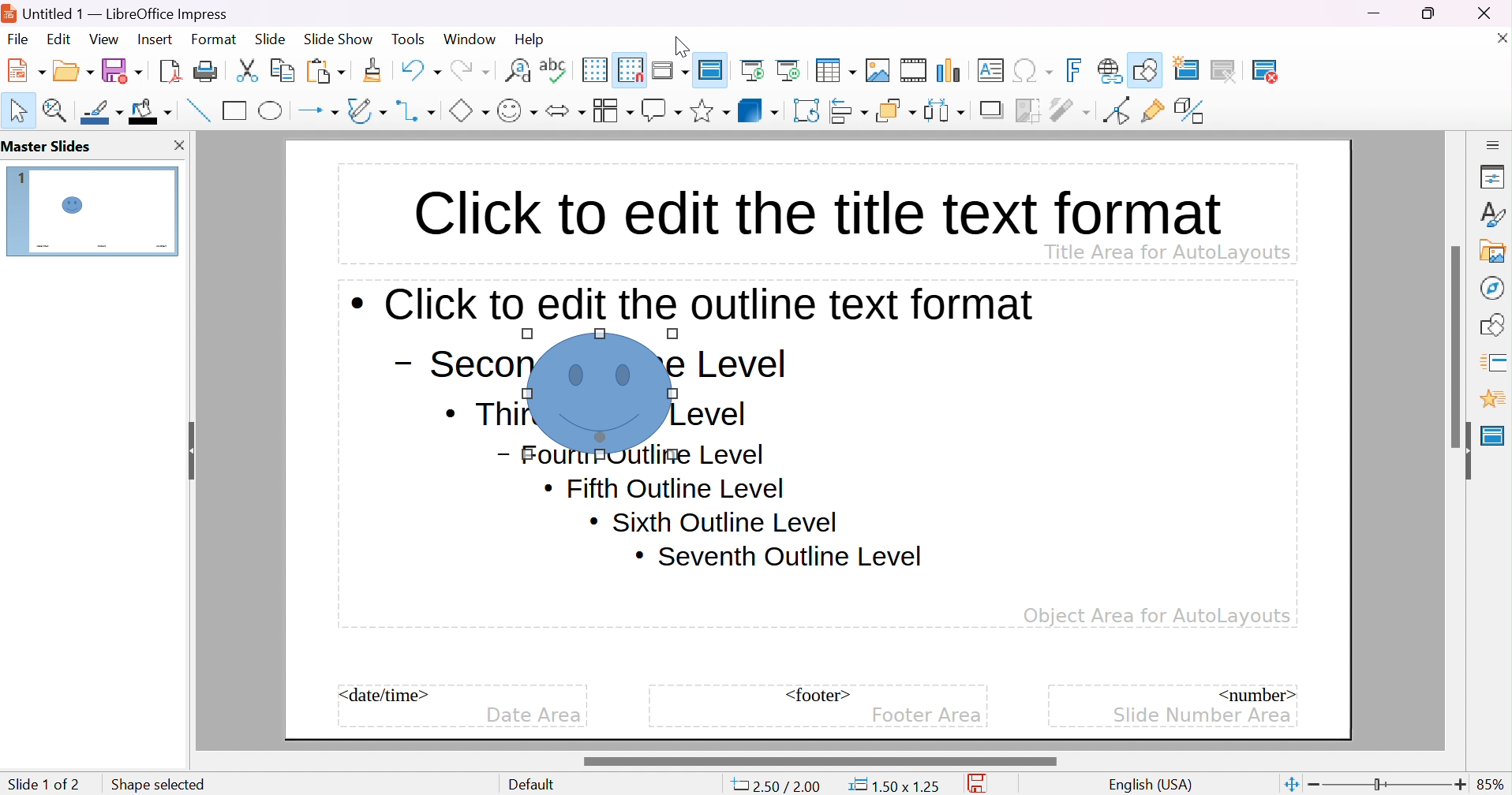  What do you see at coordinates (1493, 178) in the screenshot?
I see `properties` at bounding box center [1493, 178].